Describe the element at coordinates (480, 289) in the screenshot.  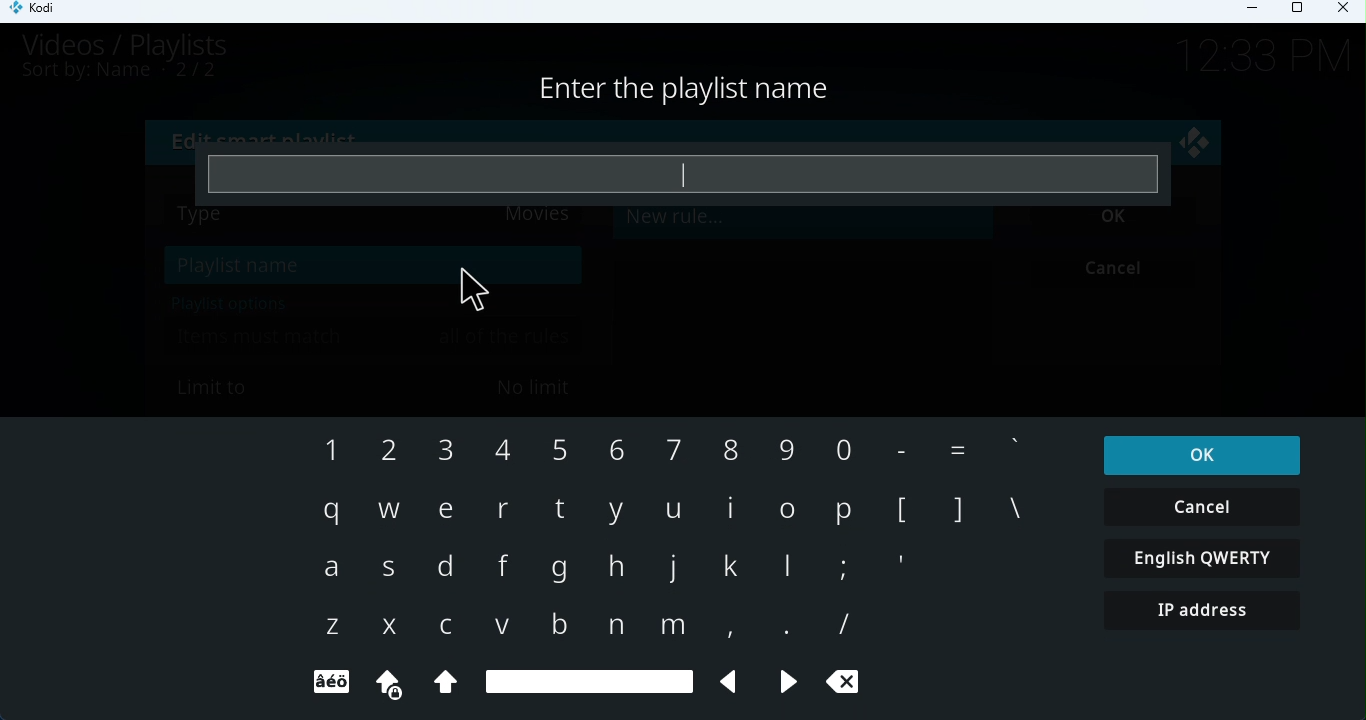
I see `Cursor` at that location.